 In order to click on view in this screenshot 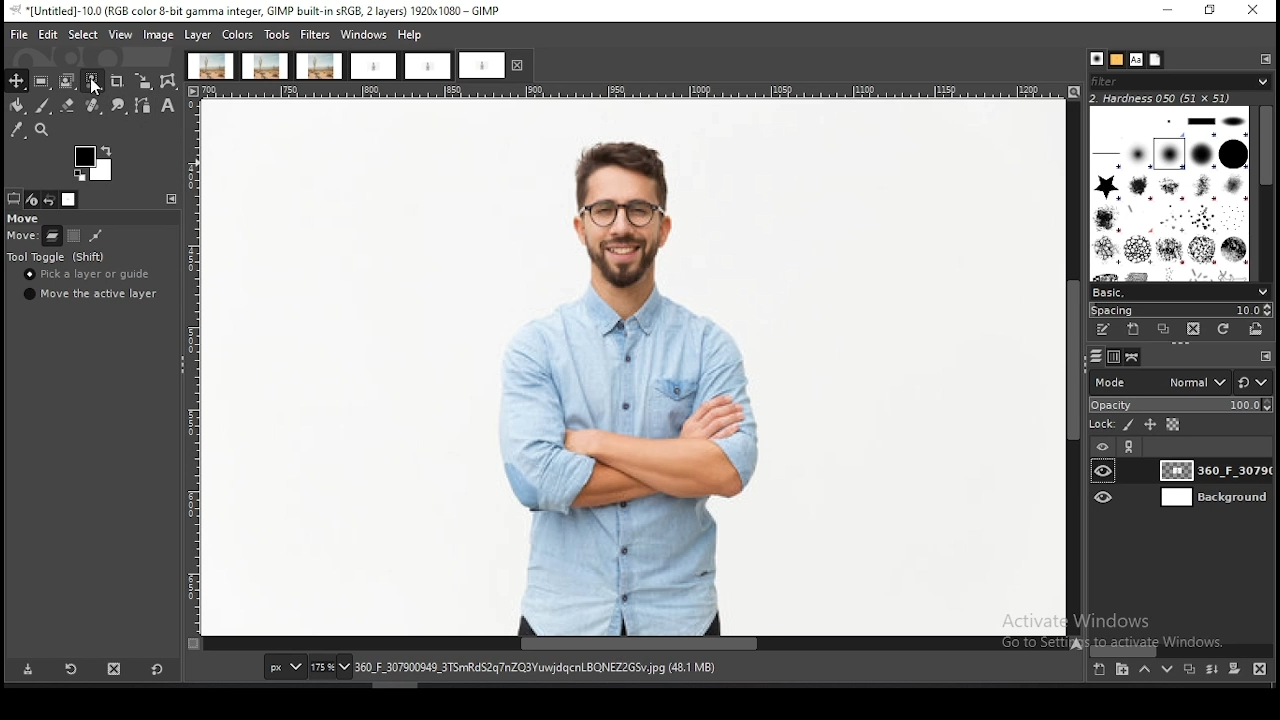, I will do `click(122, 34)`.